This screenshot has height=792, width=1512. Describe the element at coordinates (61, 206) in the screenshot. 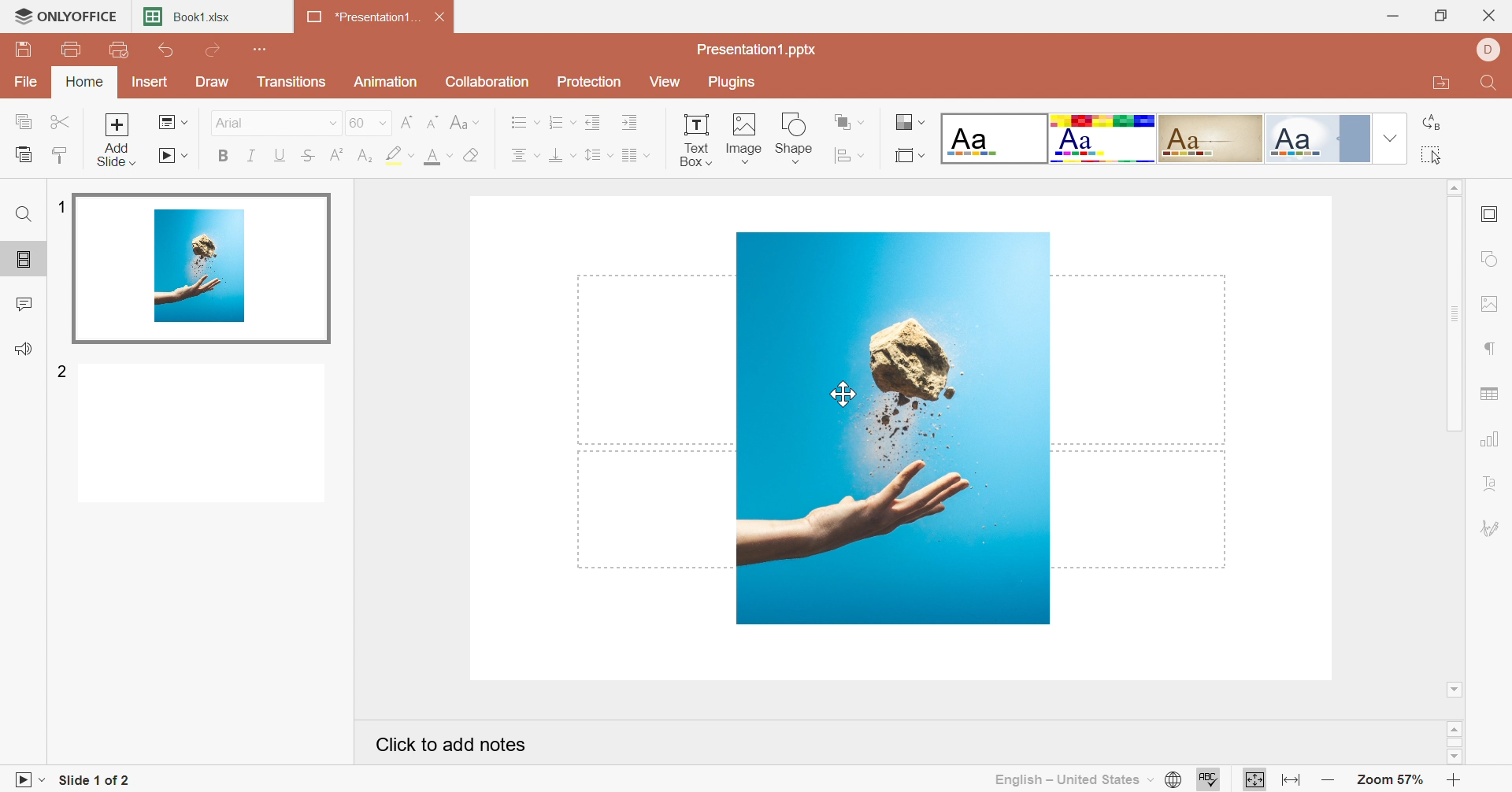

I see `1` at that location.